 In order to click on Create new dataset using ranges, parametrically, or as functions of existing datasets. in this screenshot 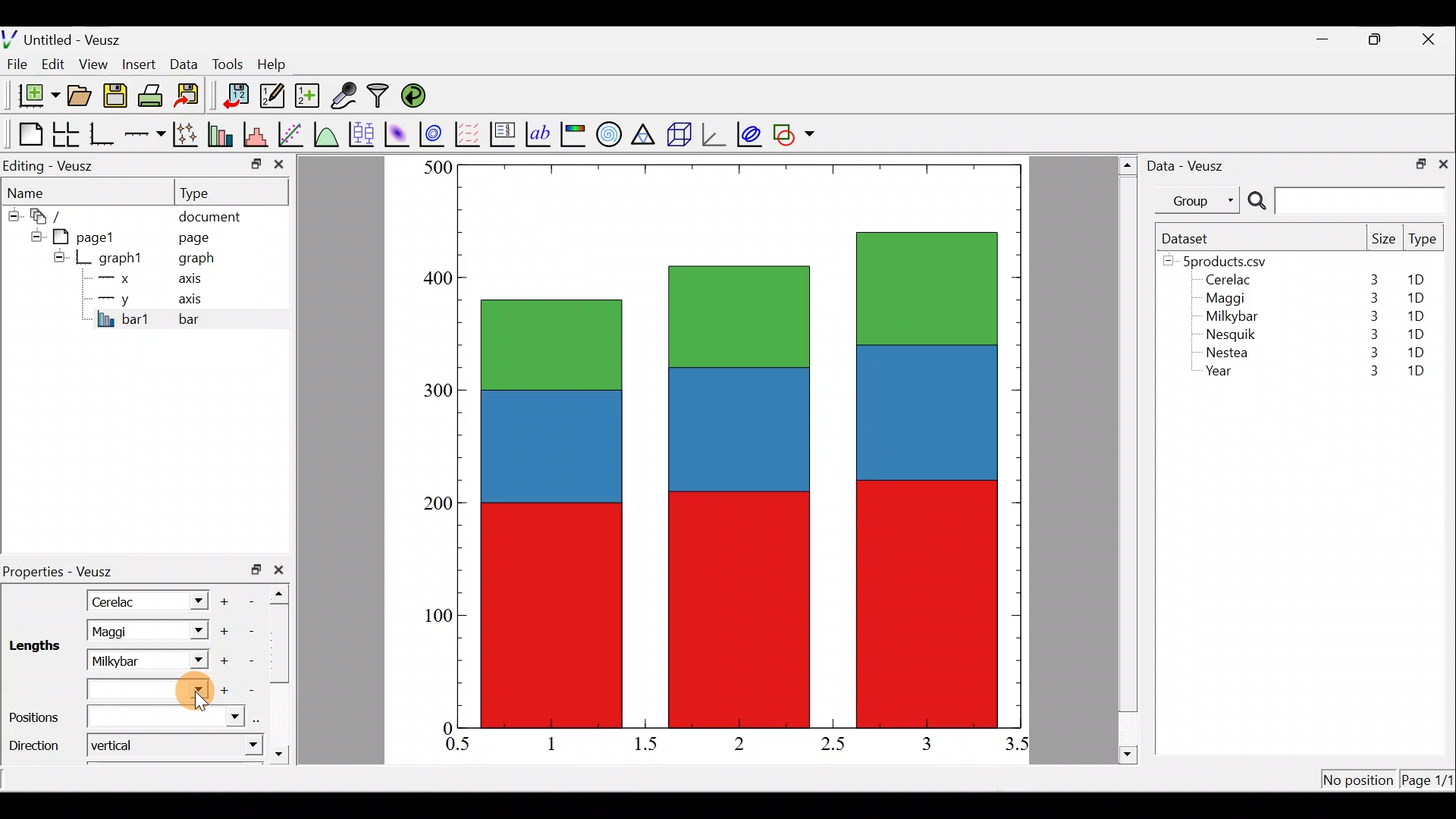, I will do `click(309, 96)`.